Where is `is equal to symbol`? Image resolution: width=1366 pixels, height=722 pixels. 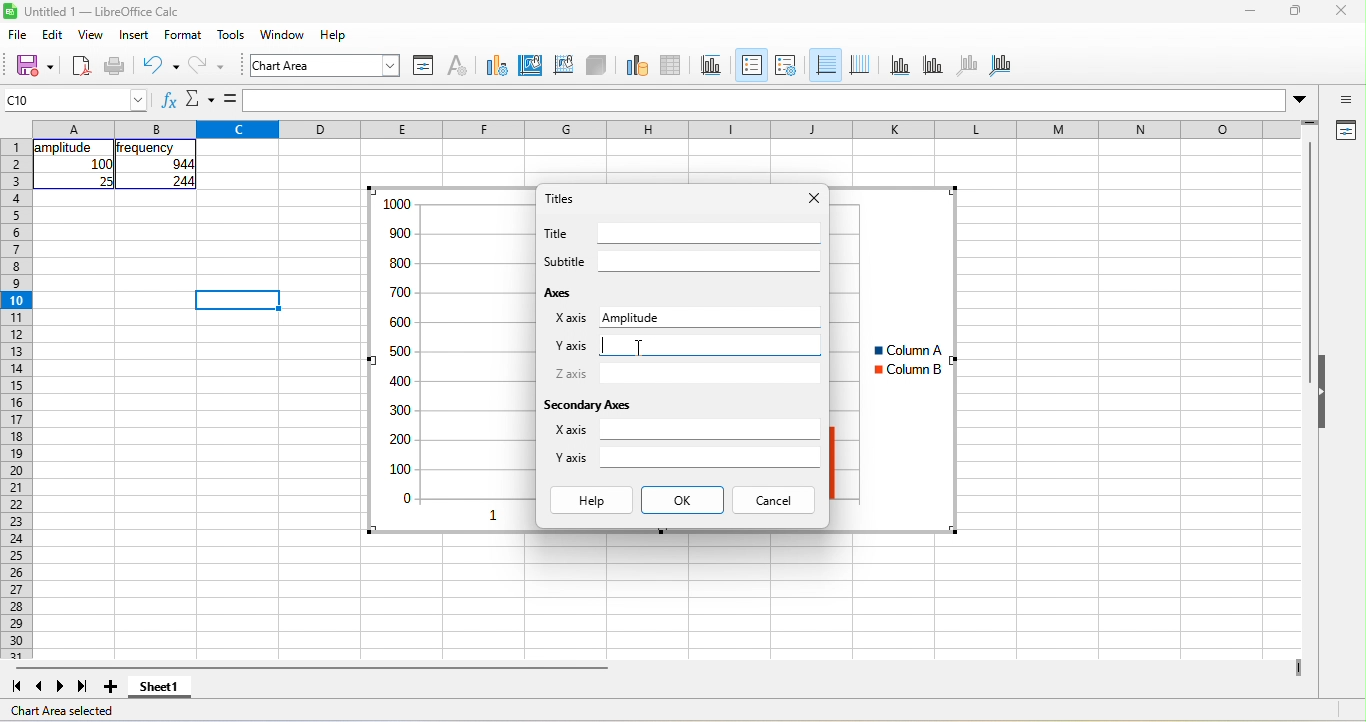 is equal to symbol is located at coordinates (230, 99).